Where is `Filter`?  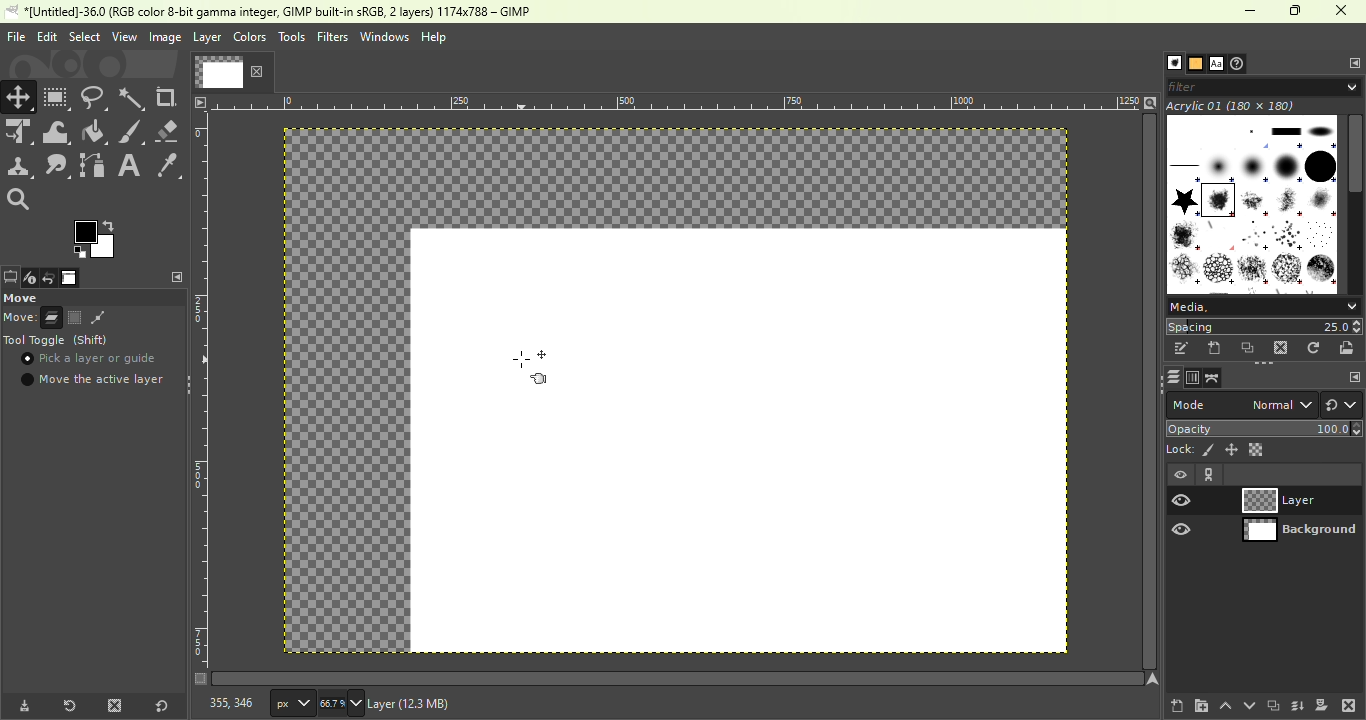
Filter is located at coordinates (1266, 86).